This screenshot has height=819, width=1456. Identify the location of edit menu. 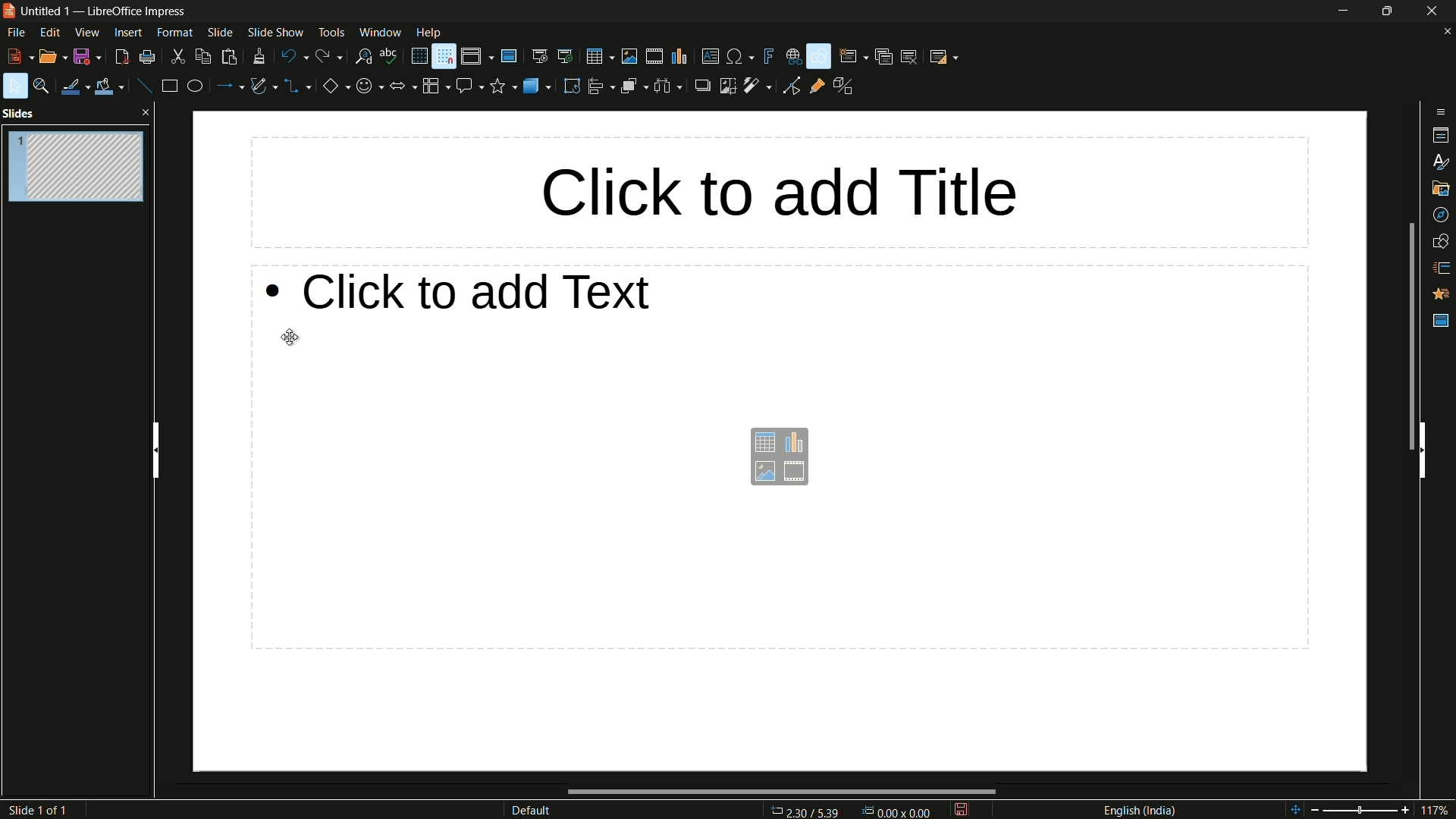
(51, 32).